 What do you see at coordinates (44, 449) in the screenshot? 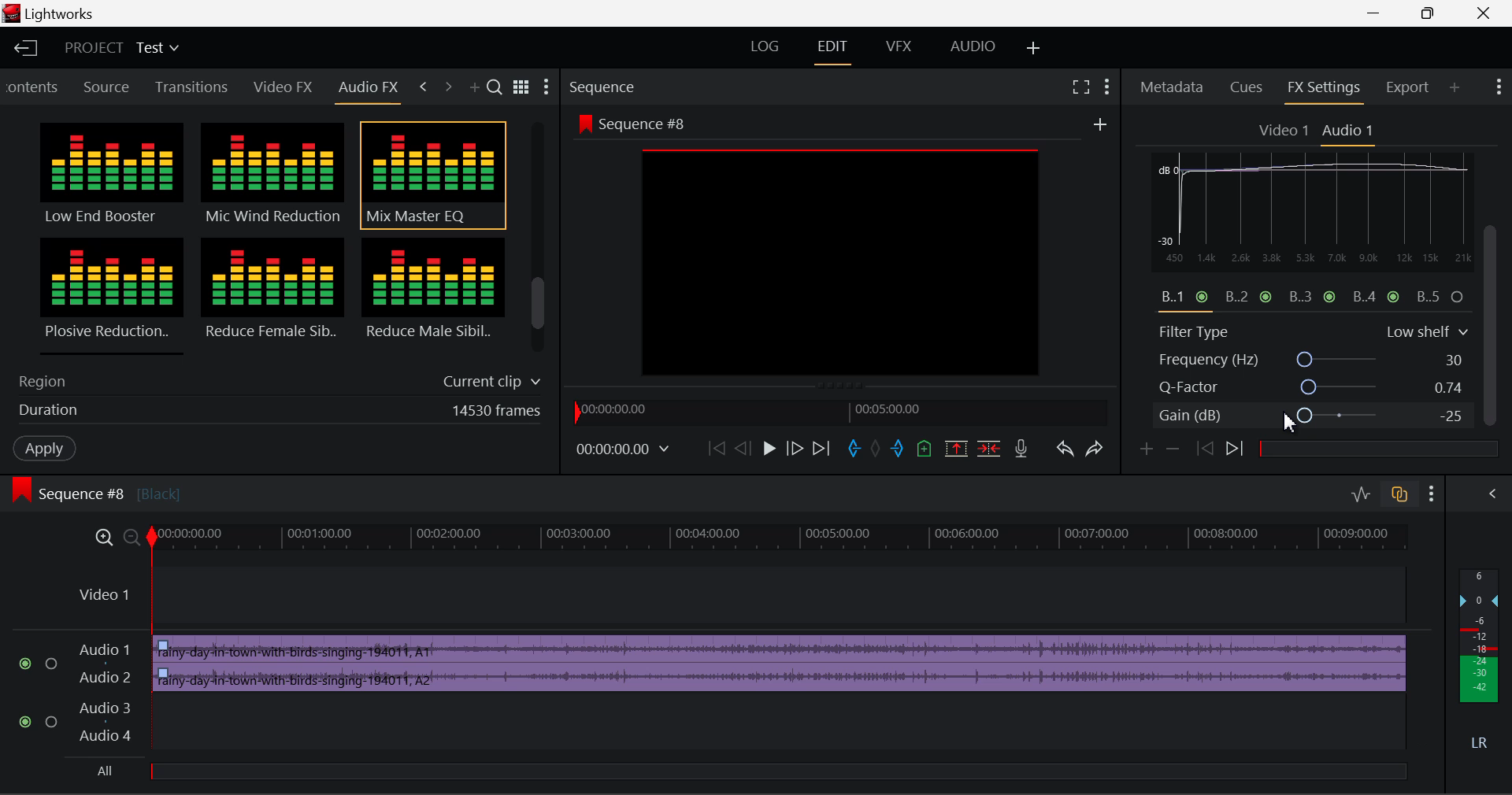
I see `Apply` at bounding box center [44, 449].